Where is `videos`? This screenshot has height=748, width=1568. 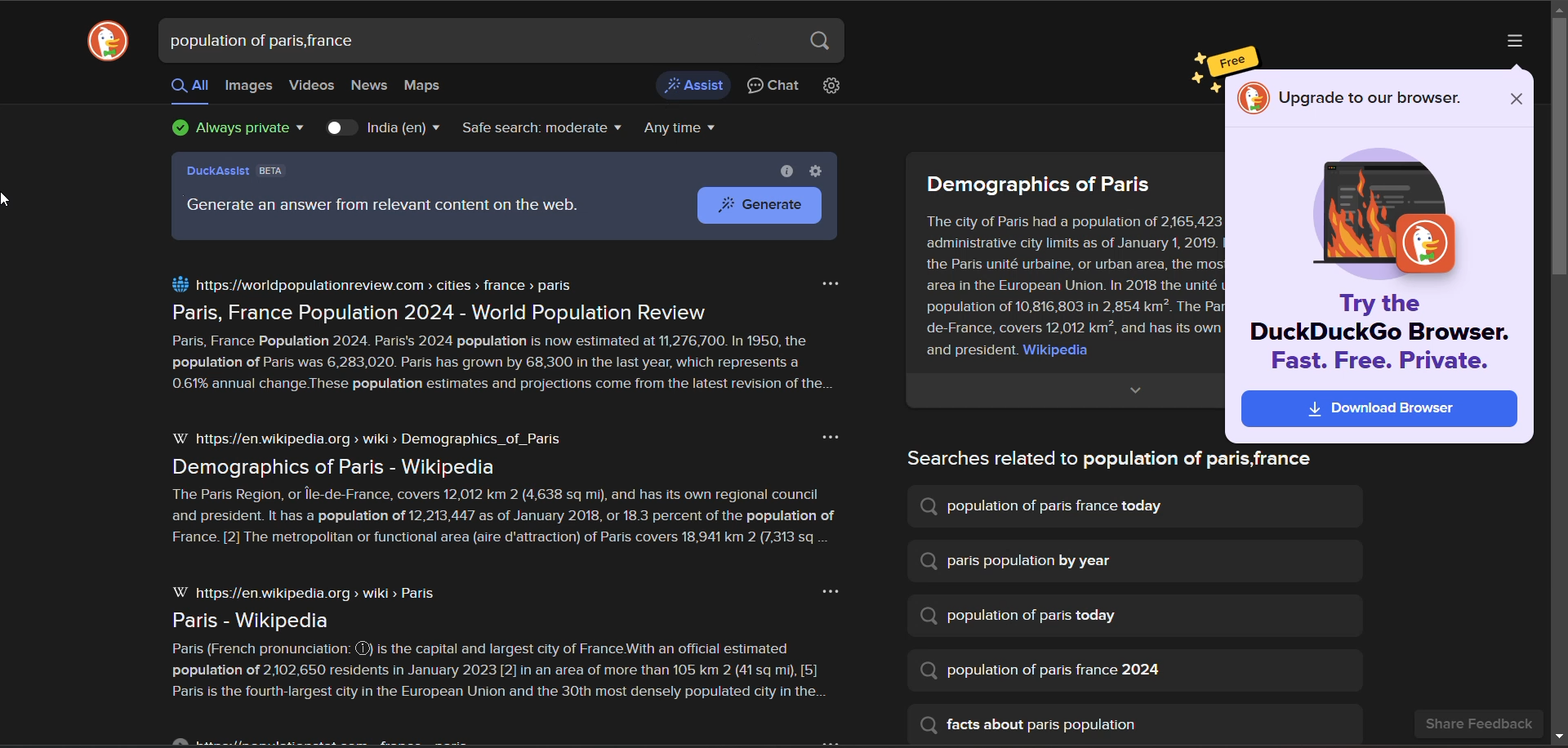
videos is located at coordinates (313, 86).